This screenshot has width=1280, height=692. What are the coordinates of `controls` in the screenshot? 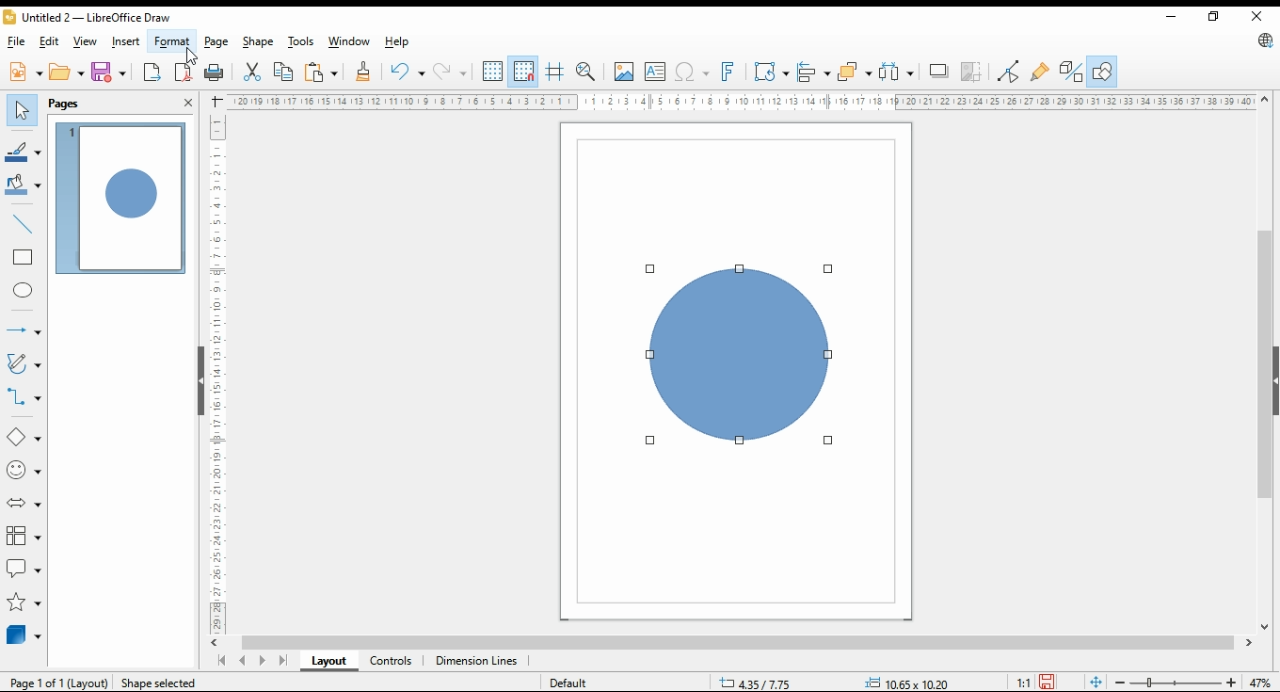 It's located at (390, 659).